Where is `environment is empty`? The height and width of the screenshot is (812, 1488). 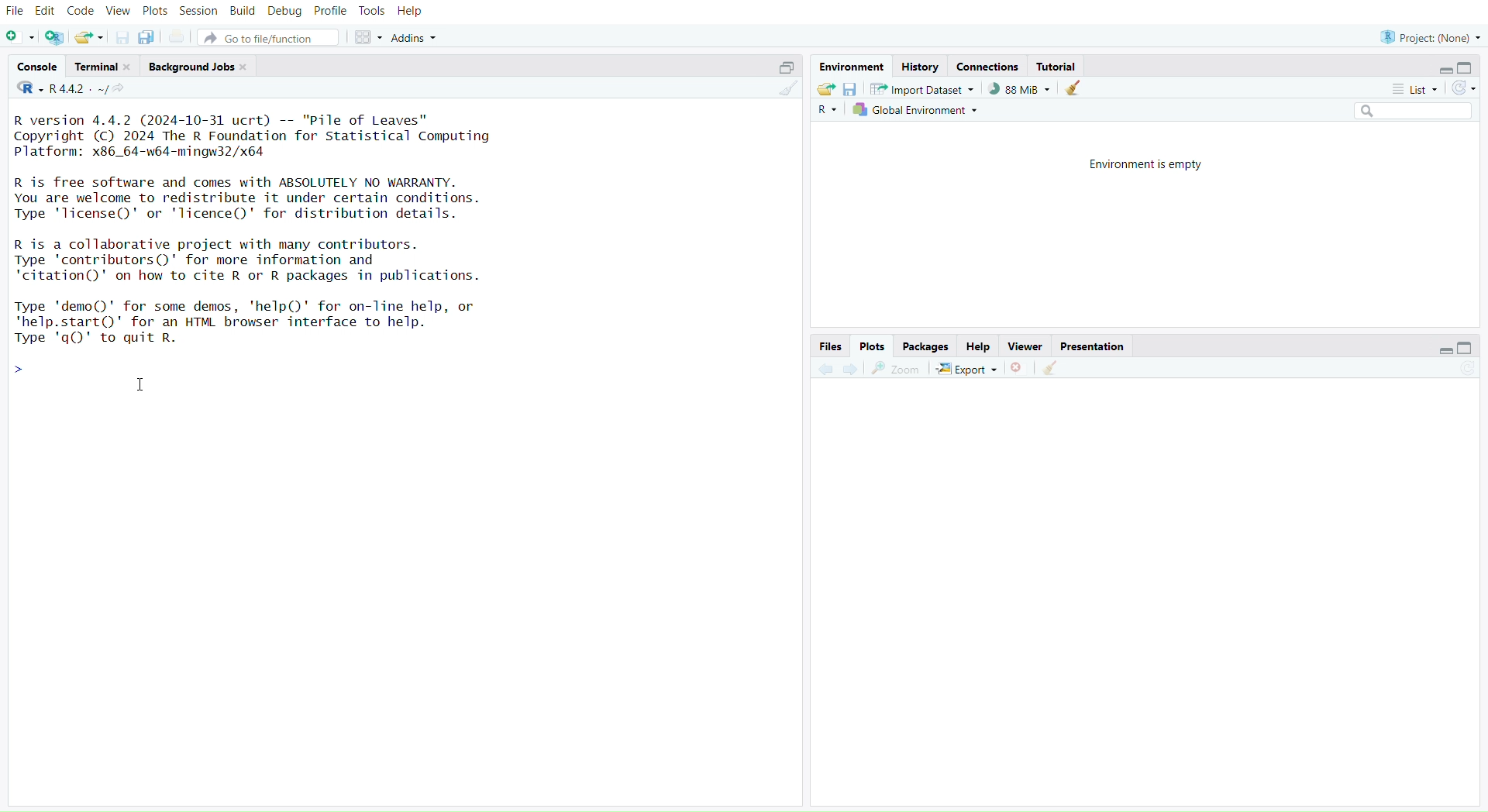 environment is empty is located at coordinates (1140, 163).